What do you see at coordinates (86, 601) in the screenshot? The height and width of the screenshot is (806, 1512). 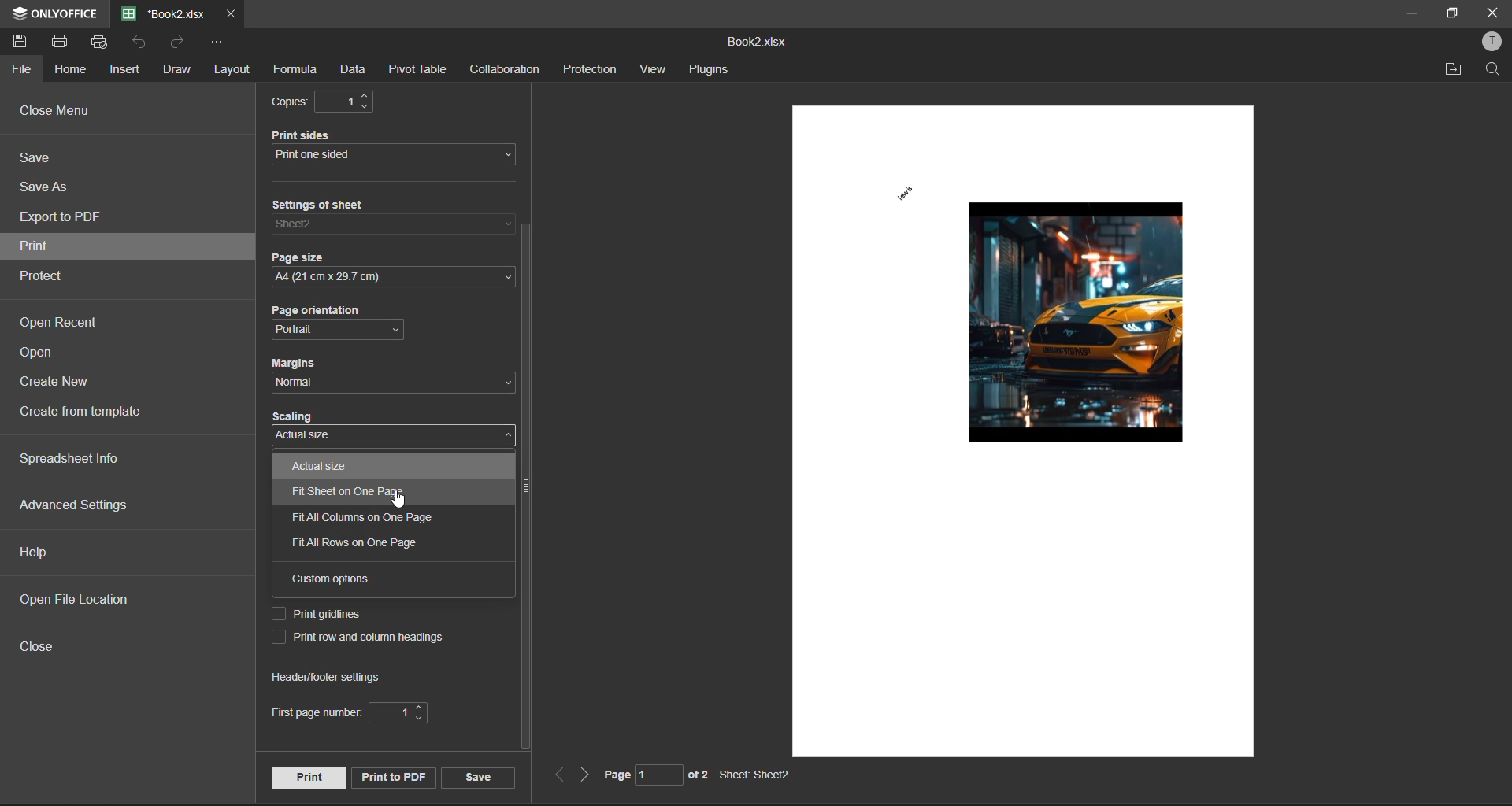 I see `open file location` at bounding box center [86, 601].